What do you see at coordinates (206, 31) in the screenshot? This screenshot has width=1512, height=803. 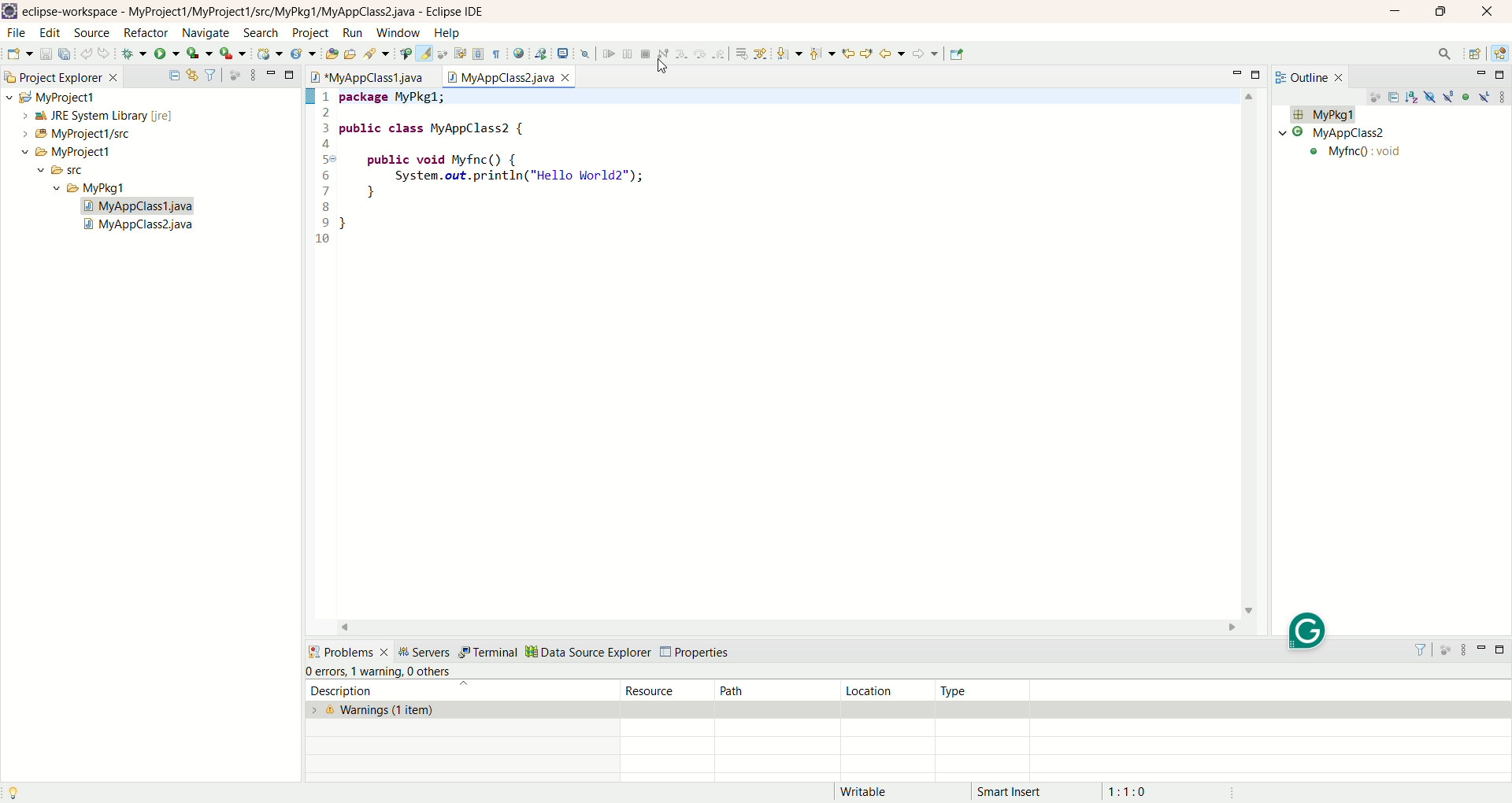 I see `navigate` at bounding box center [206, 31].